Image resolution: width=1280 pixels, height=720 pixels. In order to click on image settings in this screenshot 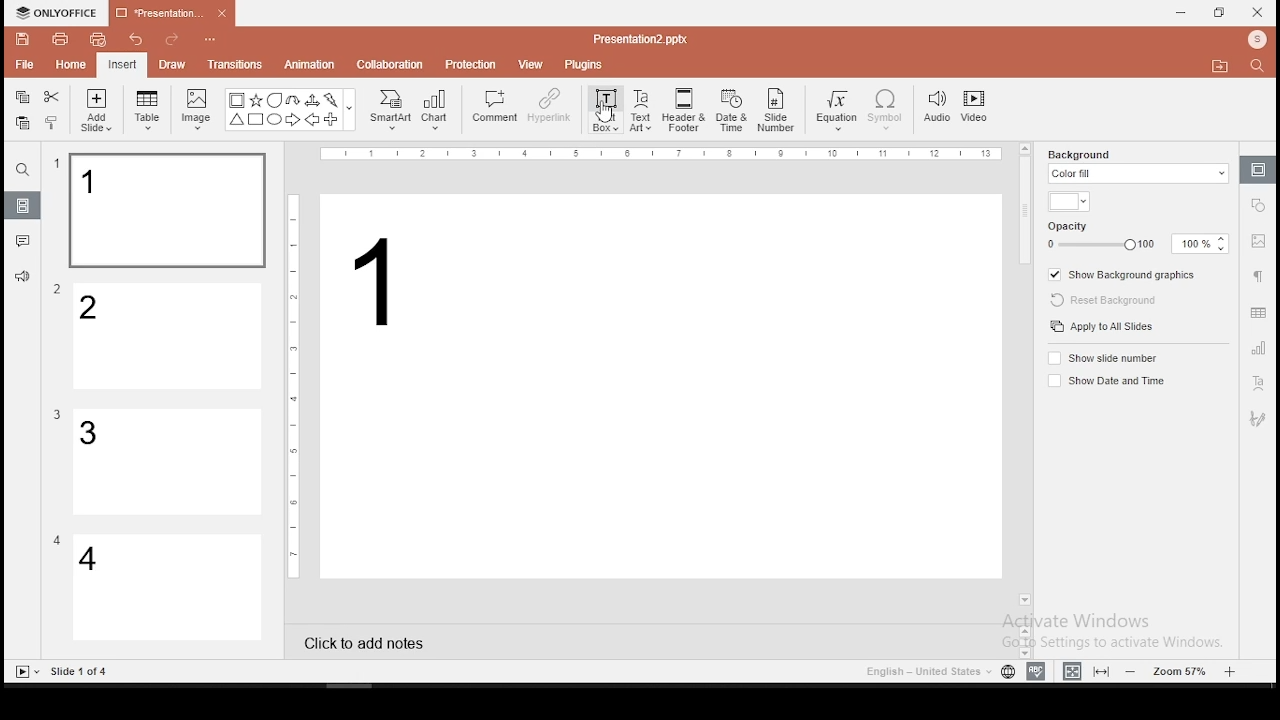, I will do `click(1256, 243)`.